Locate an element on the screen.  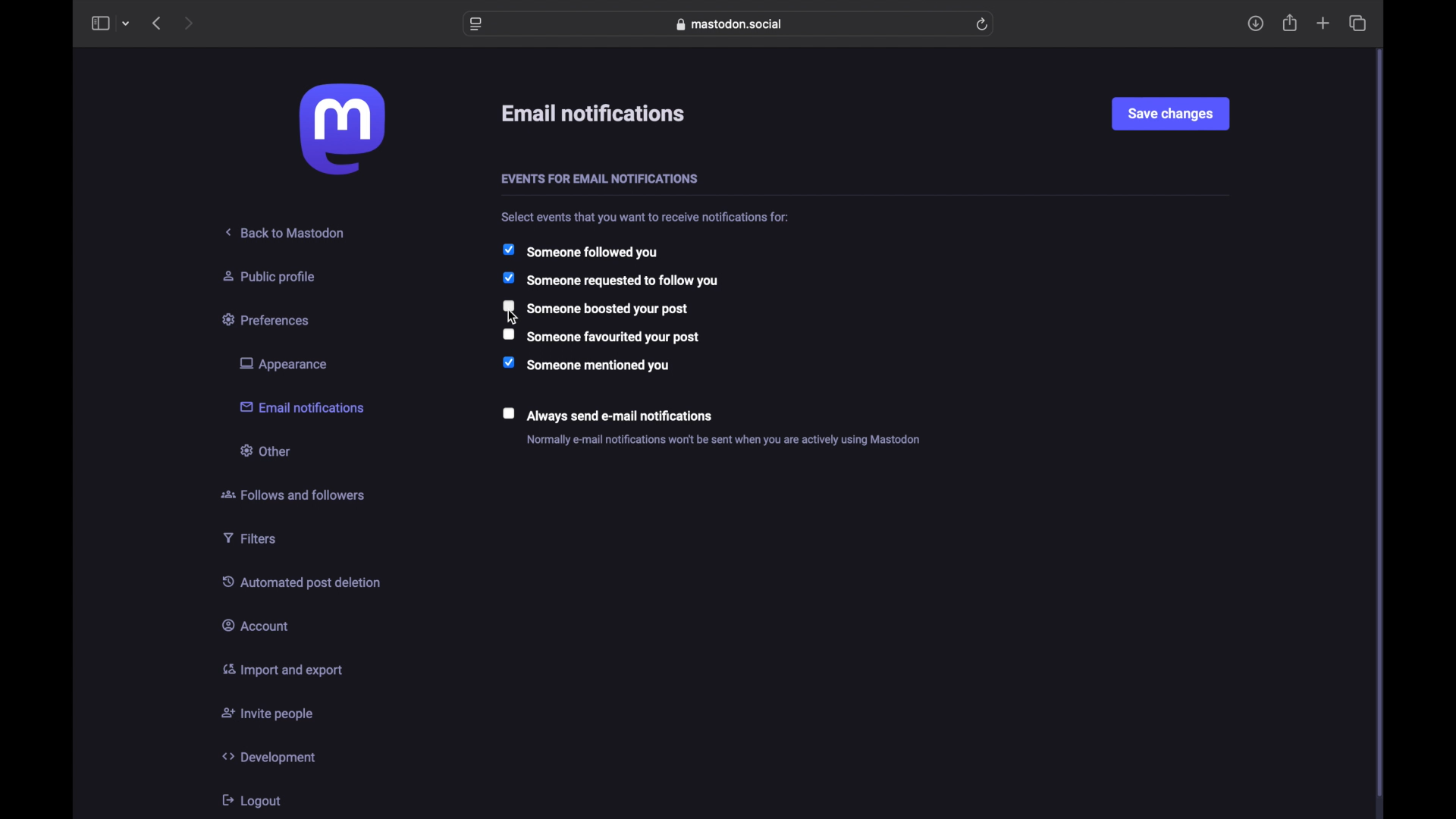
sidebar is located at coordinates (99, 23).